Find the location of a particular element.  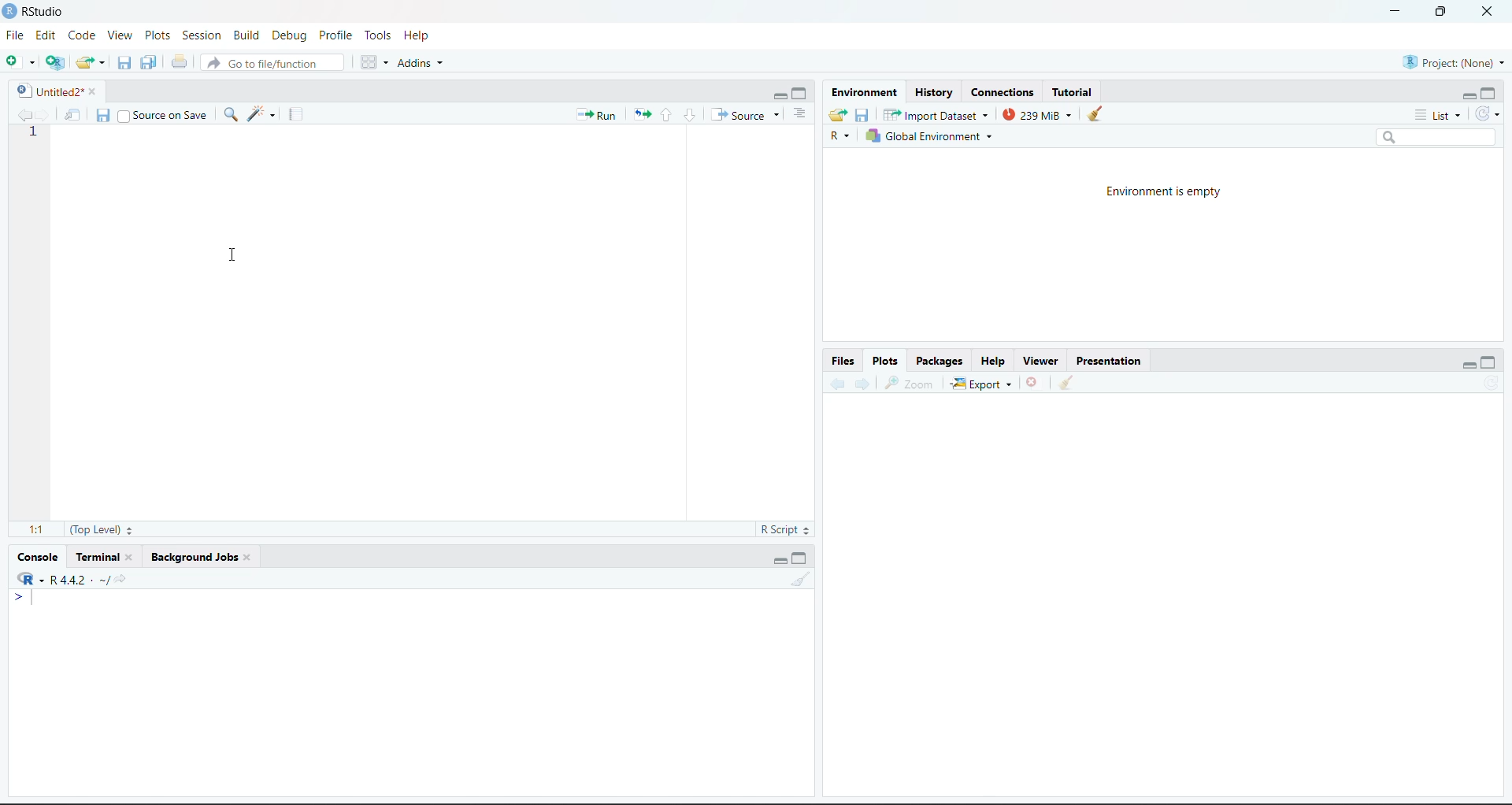

Compile Report (Ctrl + Shift + K) is located at coordinates (296, 112).